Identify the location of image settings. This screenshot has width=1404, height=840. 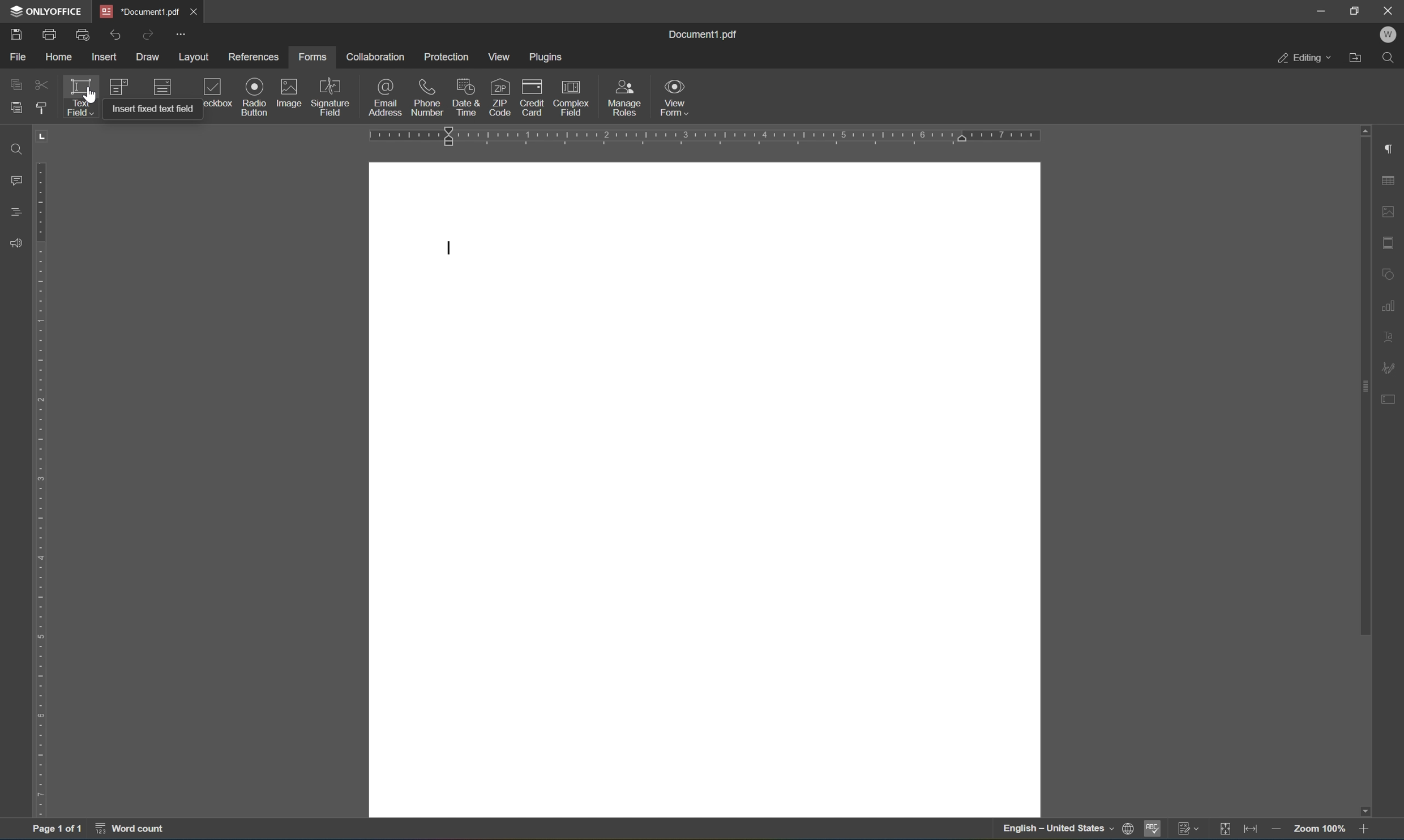
(1388, 209).